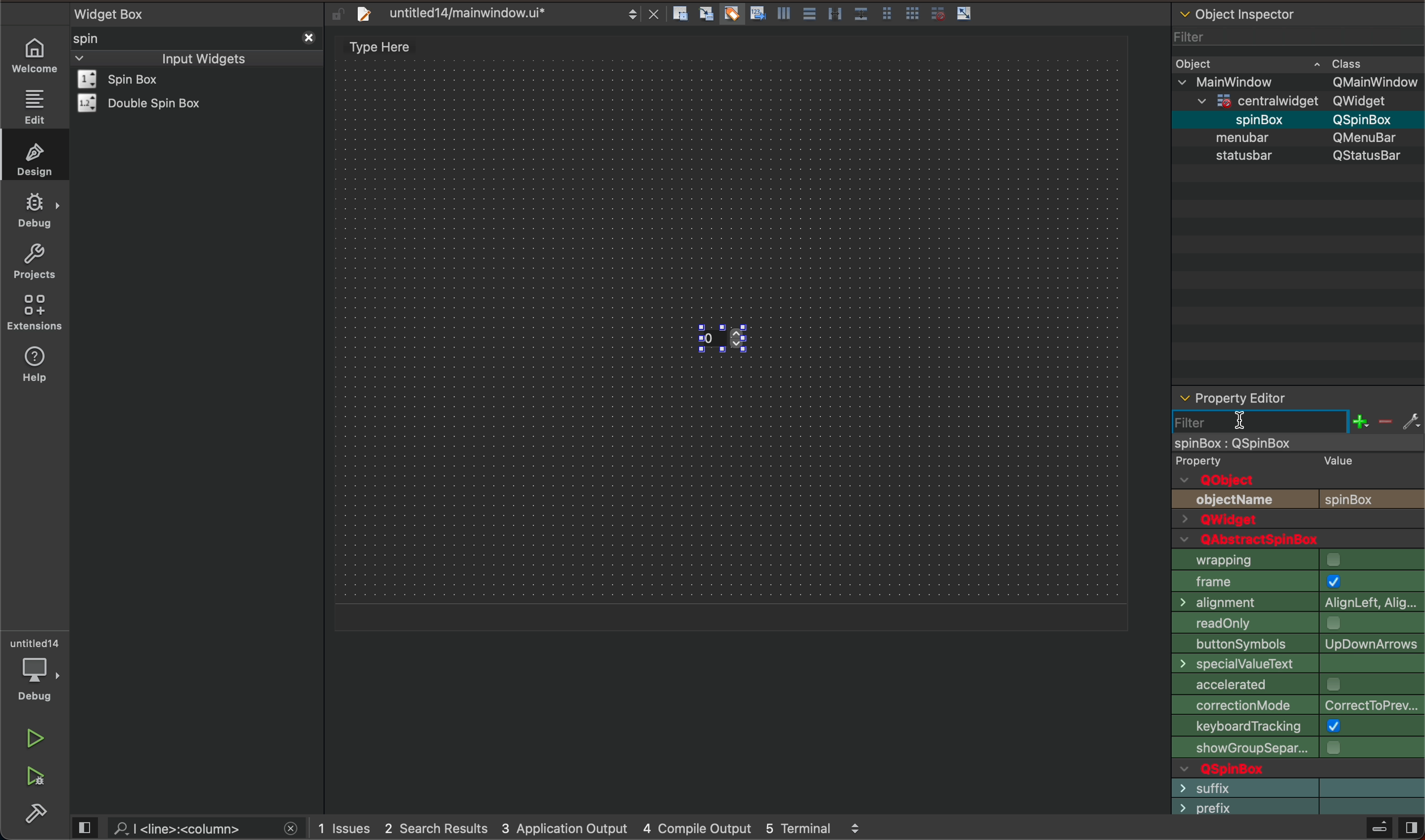  I want to click on widget, so click(146, 103).